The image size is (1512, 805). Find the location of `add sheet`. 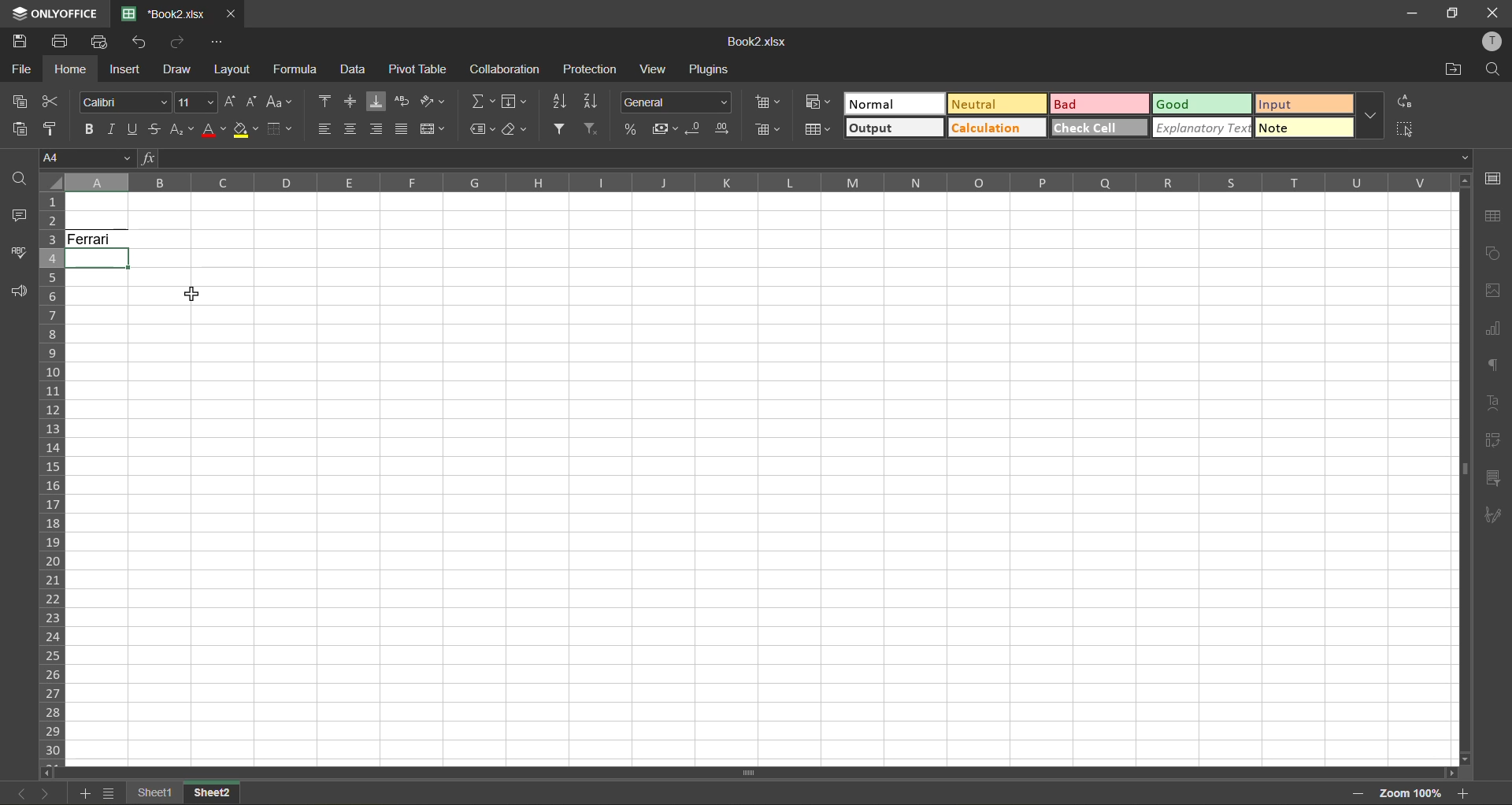

add sheet is located at coordinates (84, 794).